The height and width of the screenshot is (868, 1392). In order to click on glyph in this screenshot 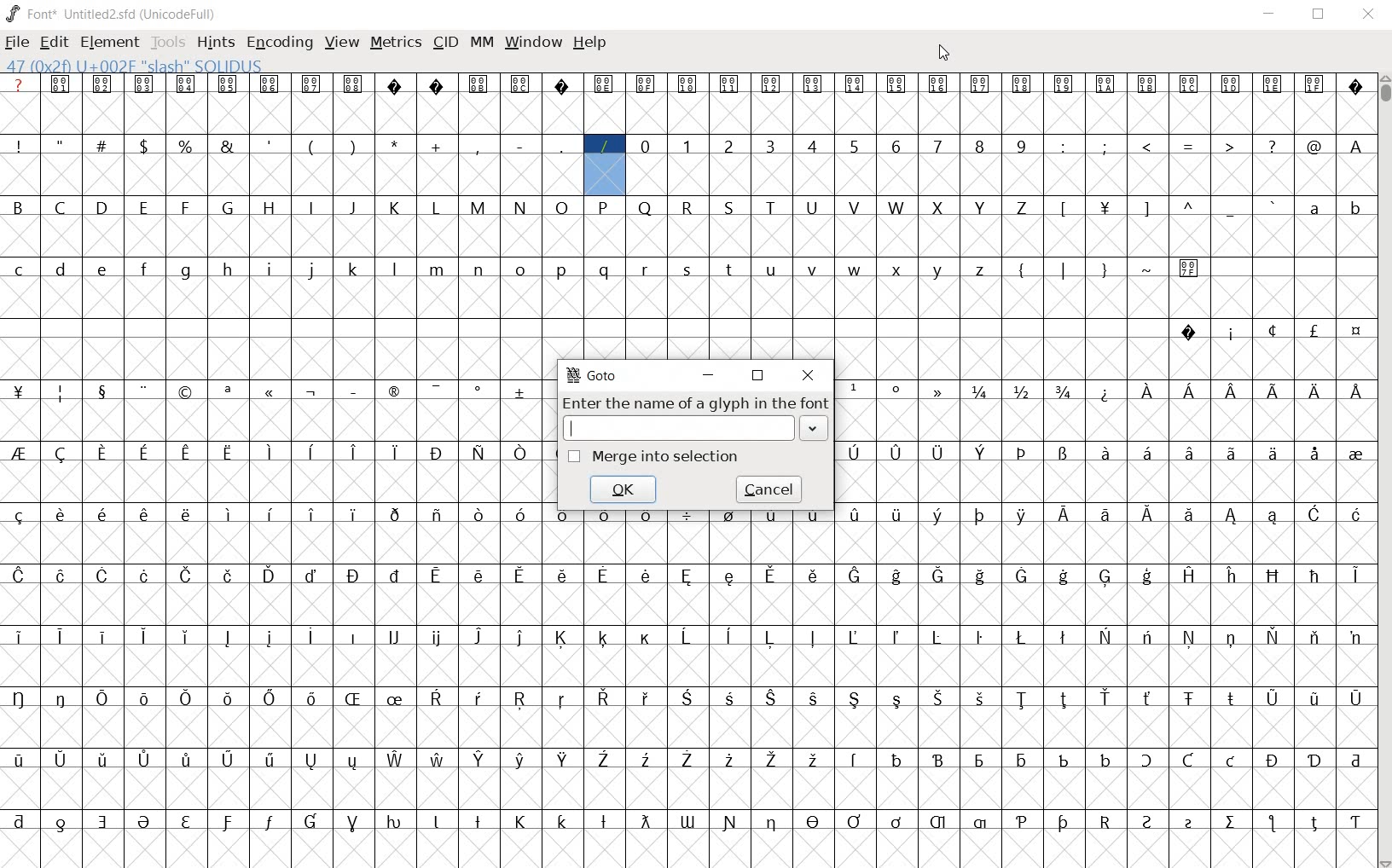, I will do `click(228, 454)`.